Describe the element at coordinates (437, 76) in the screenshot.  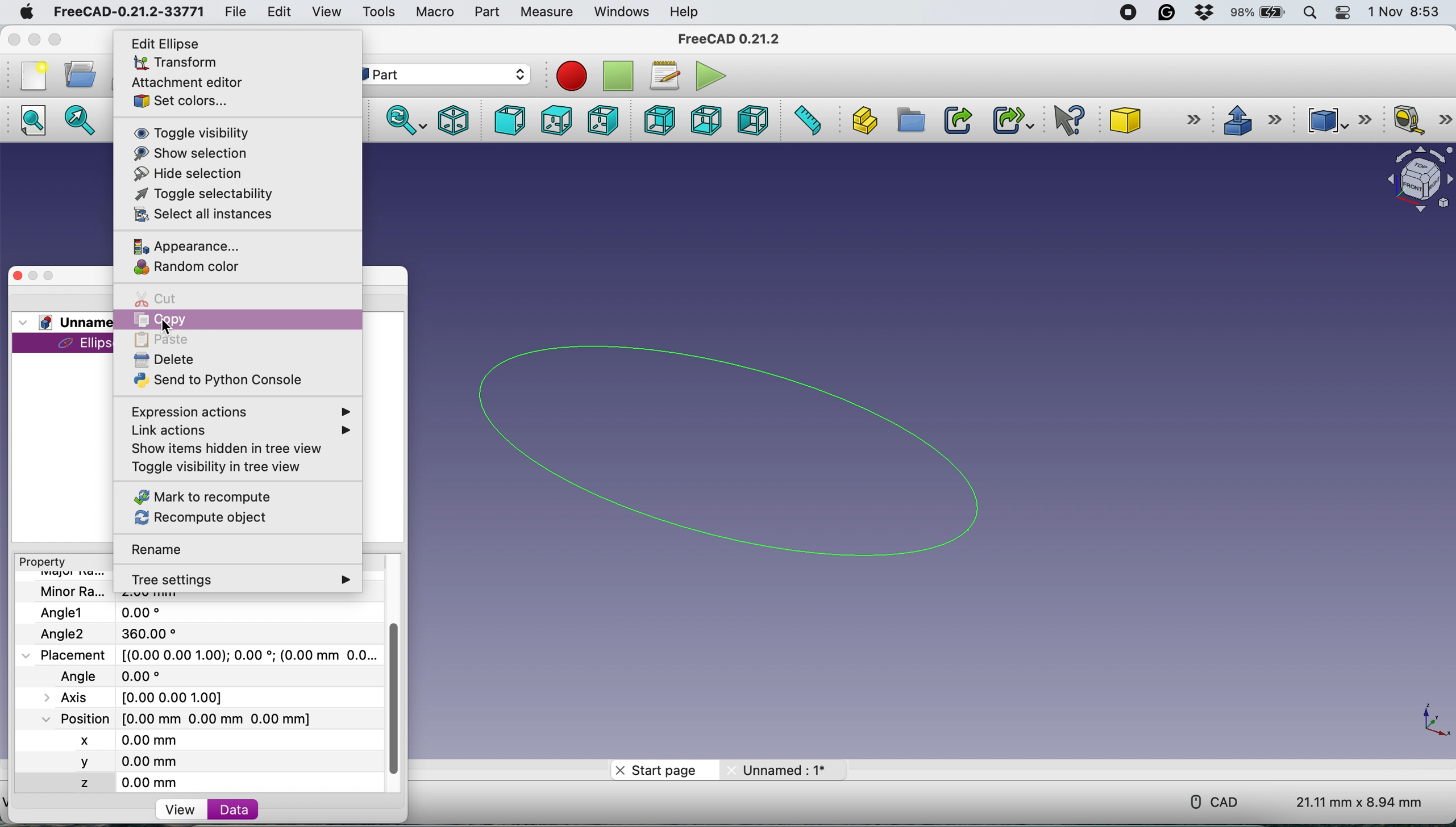
I see `workbench` at that location.